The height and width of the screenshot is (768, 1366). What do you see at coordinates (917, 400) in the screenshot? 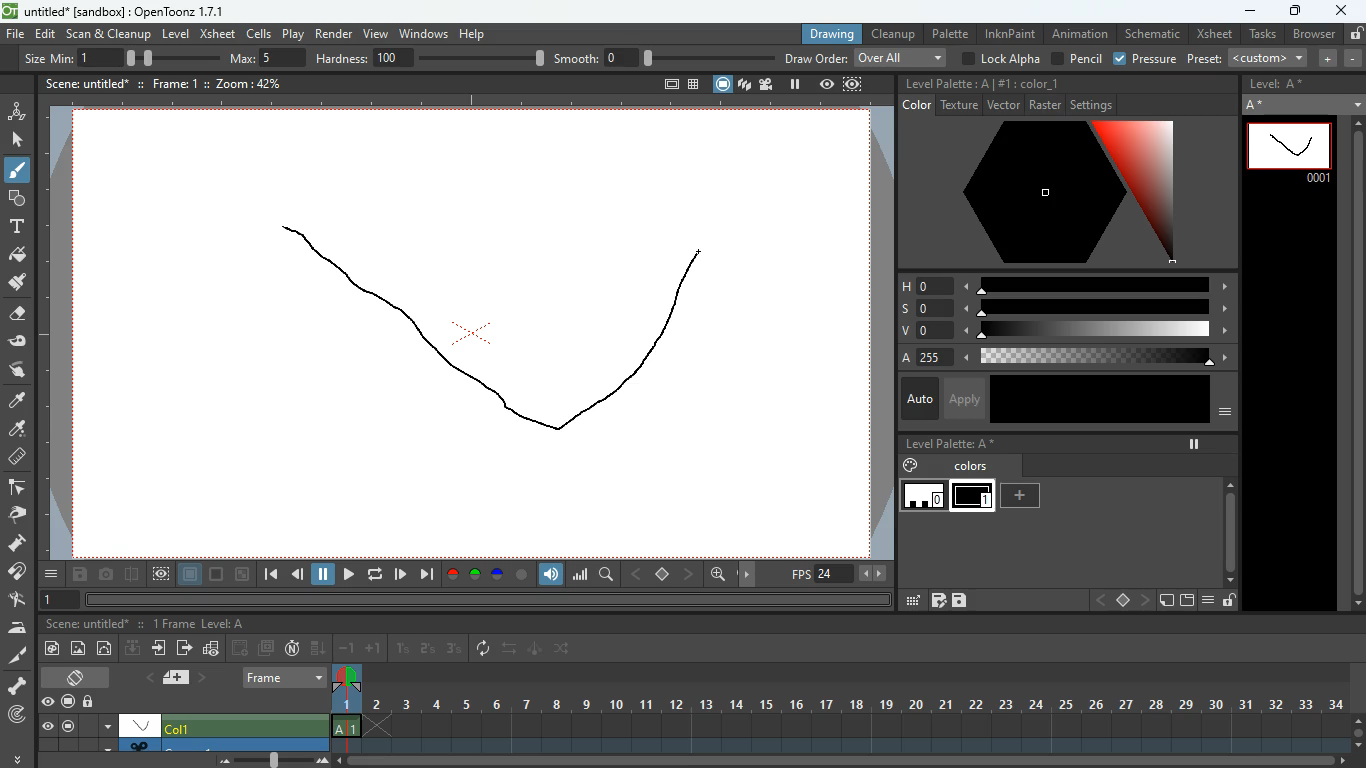
I see `auto` at bounding box center [917, 400].